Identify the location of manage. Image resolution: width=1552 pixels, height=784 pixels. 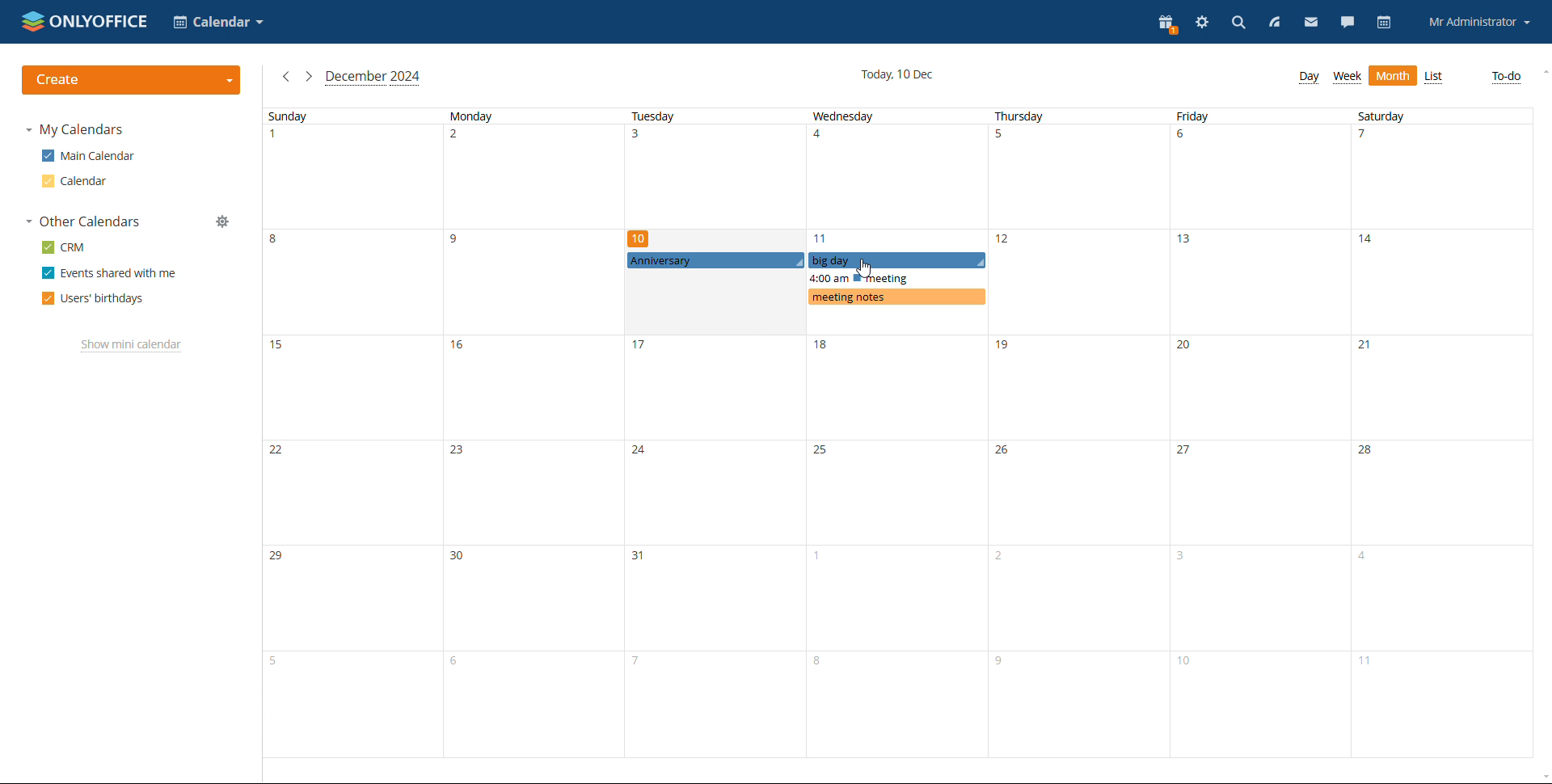
(224, 221).